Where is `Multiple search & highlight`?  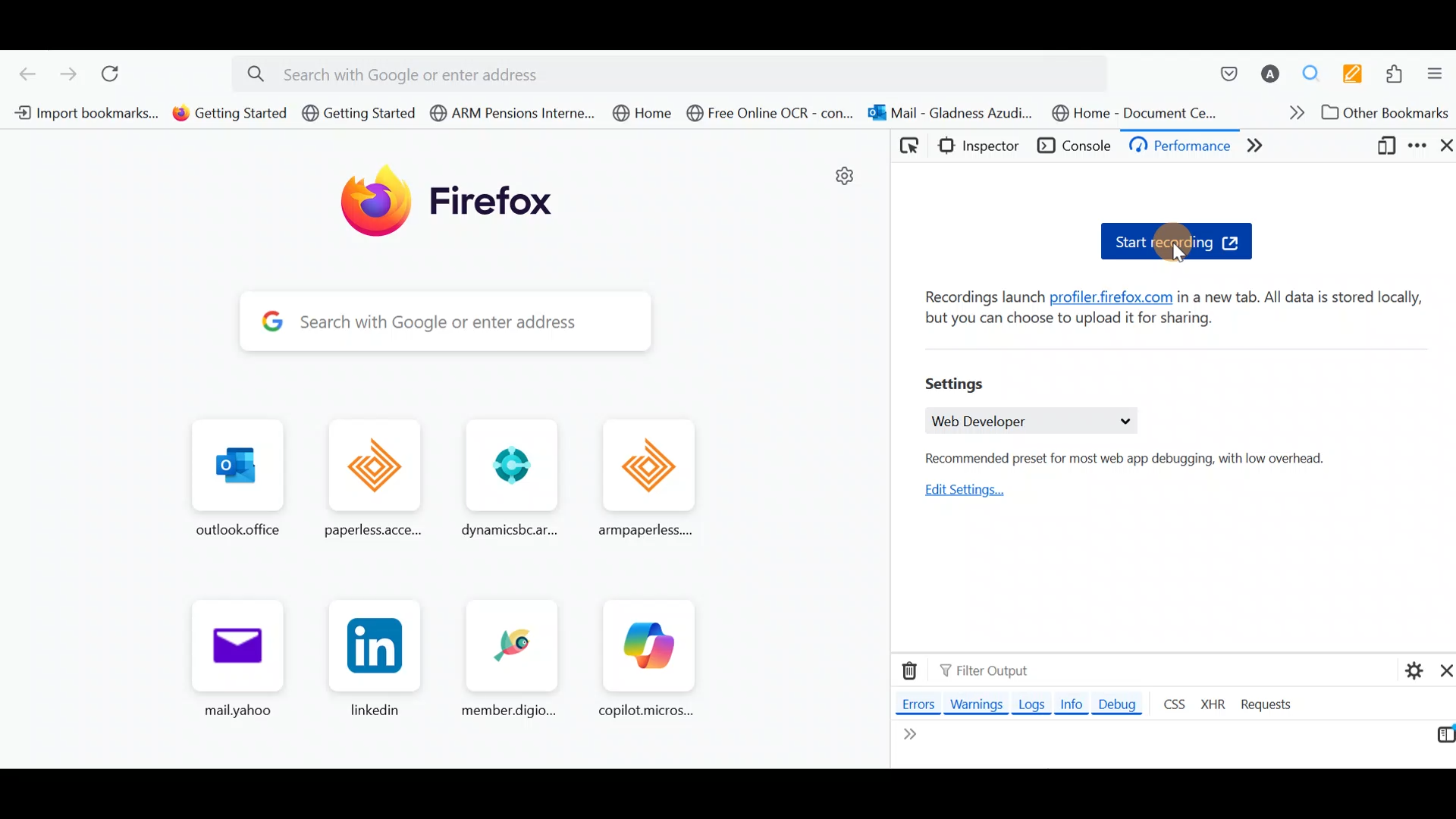
Multiple search & highlight is located at coordinates (1316, 73).